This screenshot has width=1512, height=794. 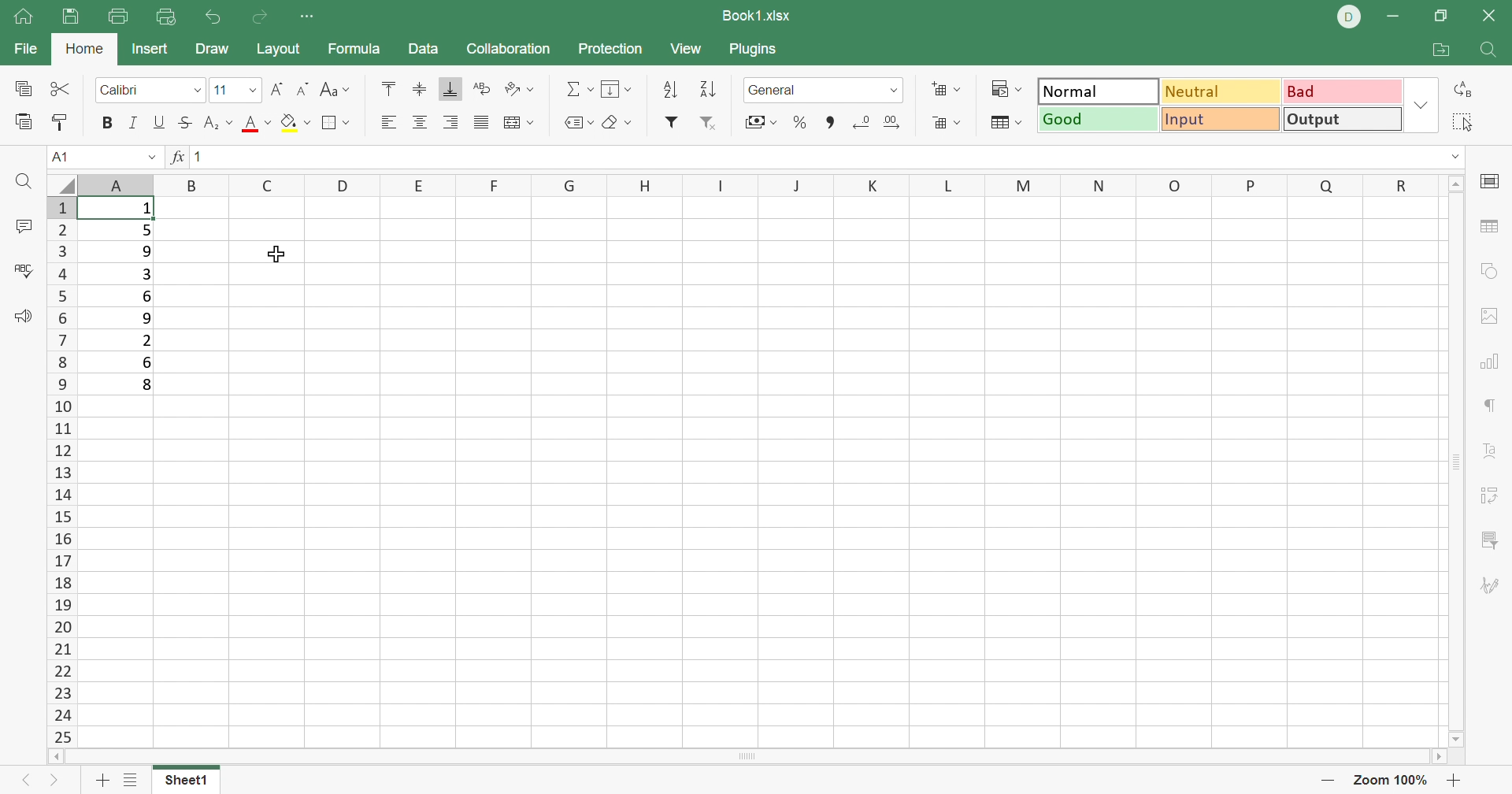 What do you see at coordinates (152, 156) in the screenshot?
I see `Drop Down` at bounding box center [152, 156].